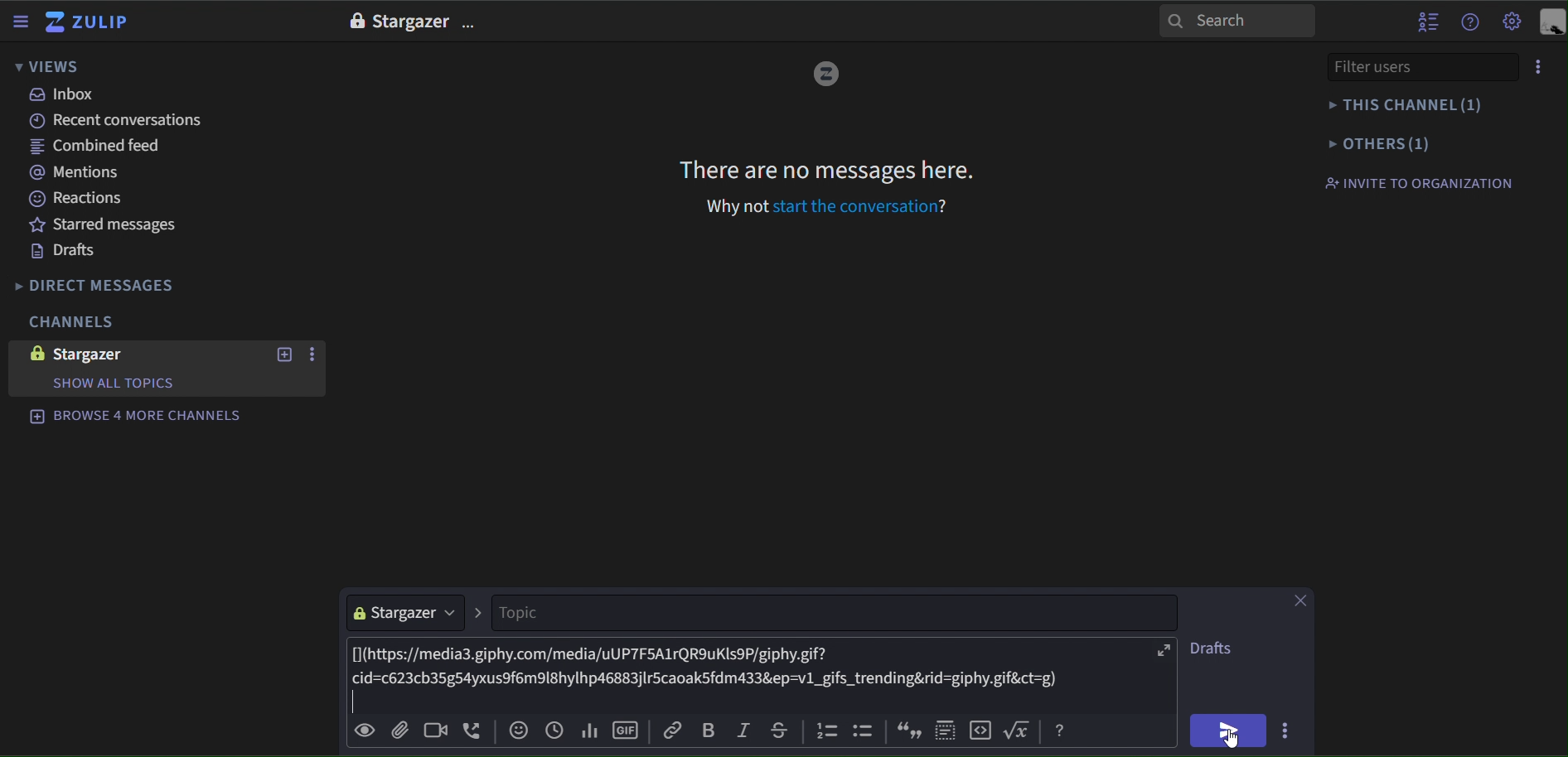 This screenshot has width=1568, height=757. I want to click on frequency, so click(588, 728).